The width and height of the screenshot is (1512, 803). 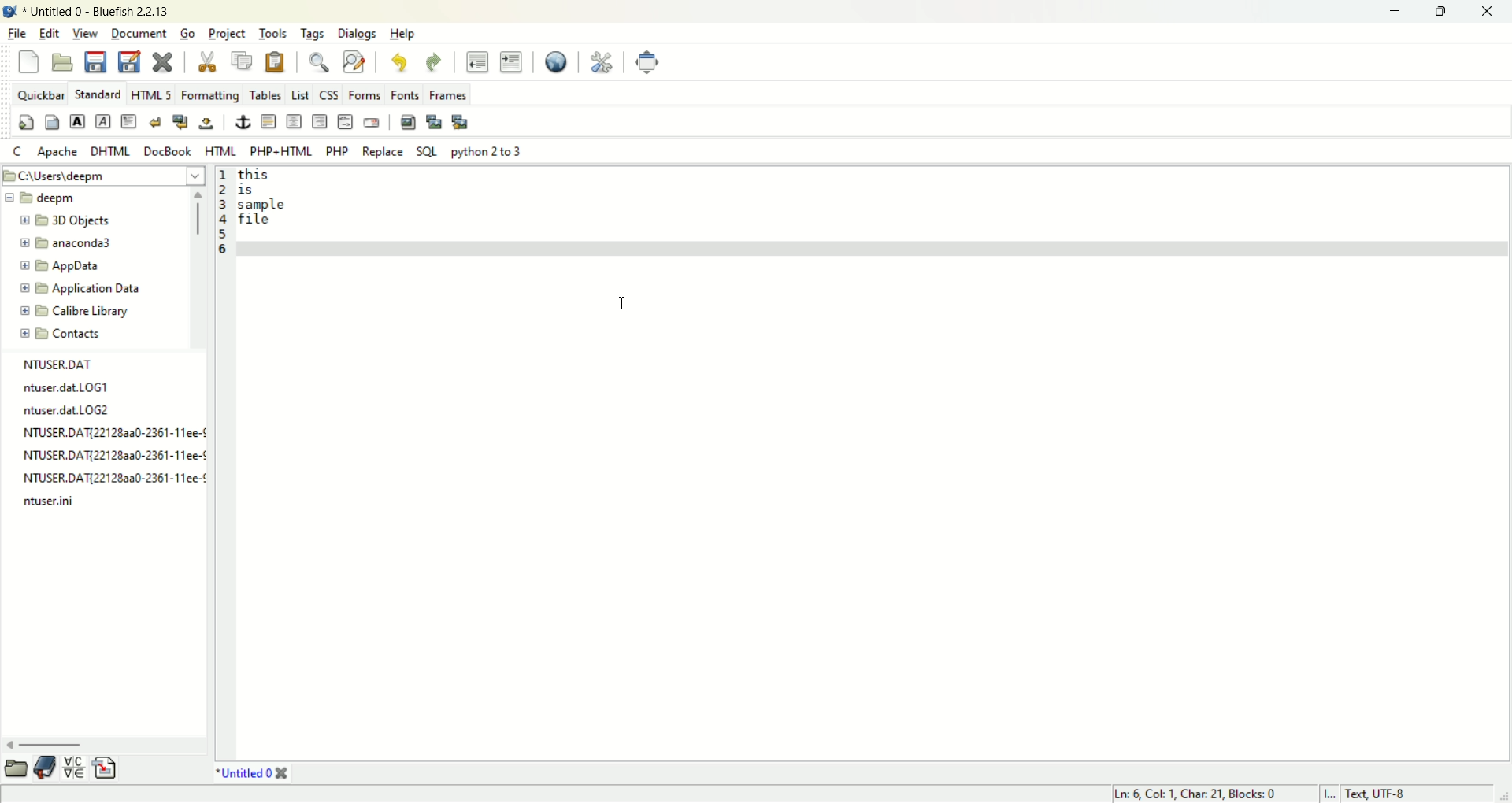 What do you see at coordinates (330, 94) in the screenshot?
I see `CSS` at bounding box center [330, 94].